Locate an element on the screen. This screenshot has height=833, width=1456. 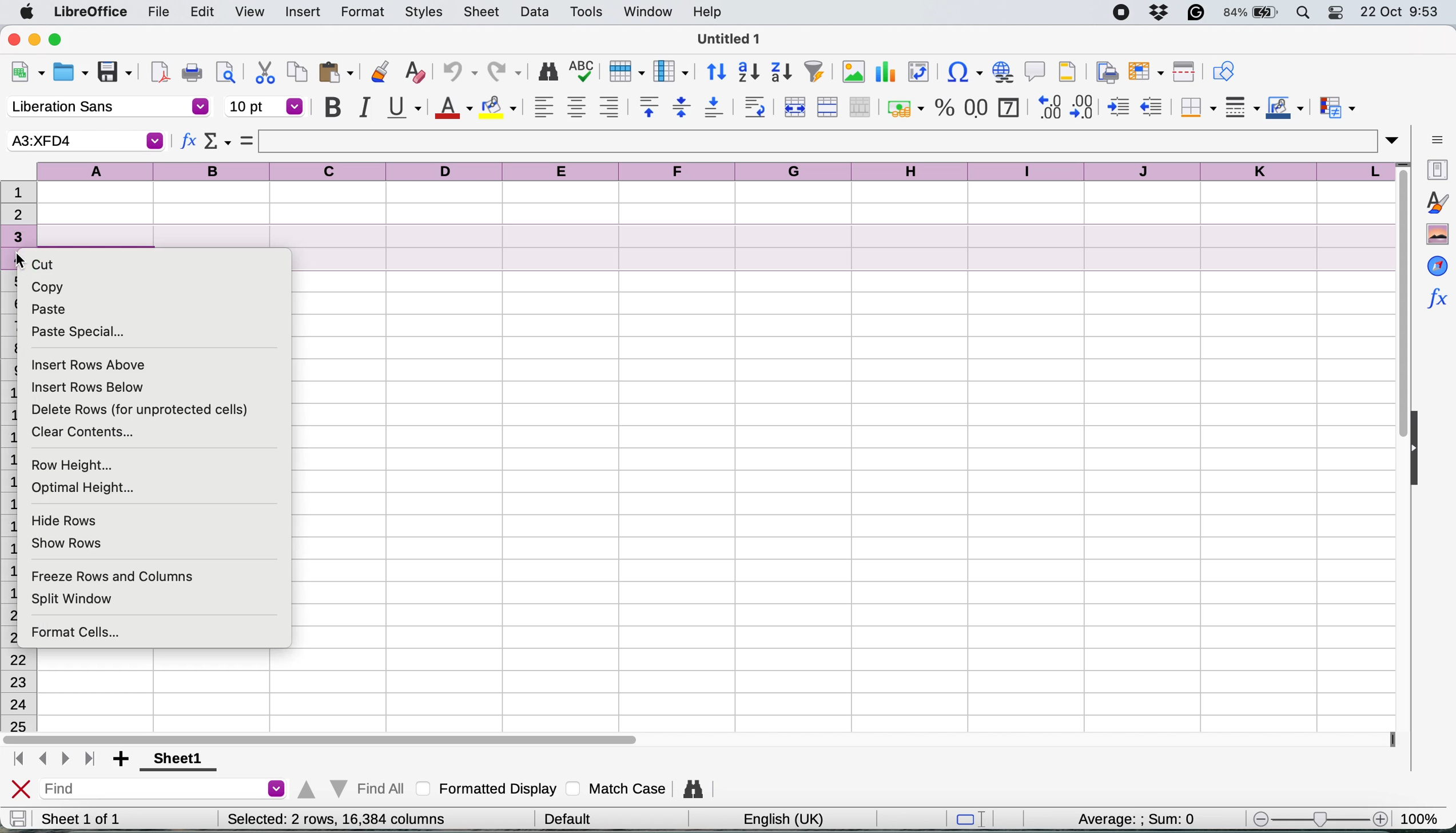
unmerge is located at coordinates (860, 108).